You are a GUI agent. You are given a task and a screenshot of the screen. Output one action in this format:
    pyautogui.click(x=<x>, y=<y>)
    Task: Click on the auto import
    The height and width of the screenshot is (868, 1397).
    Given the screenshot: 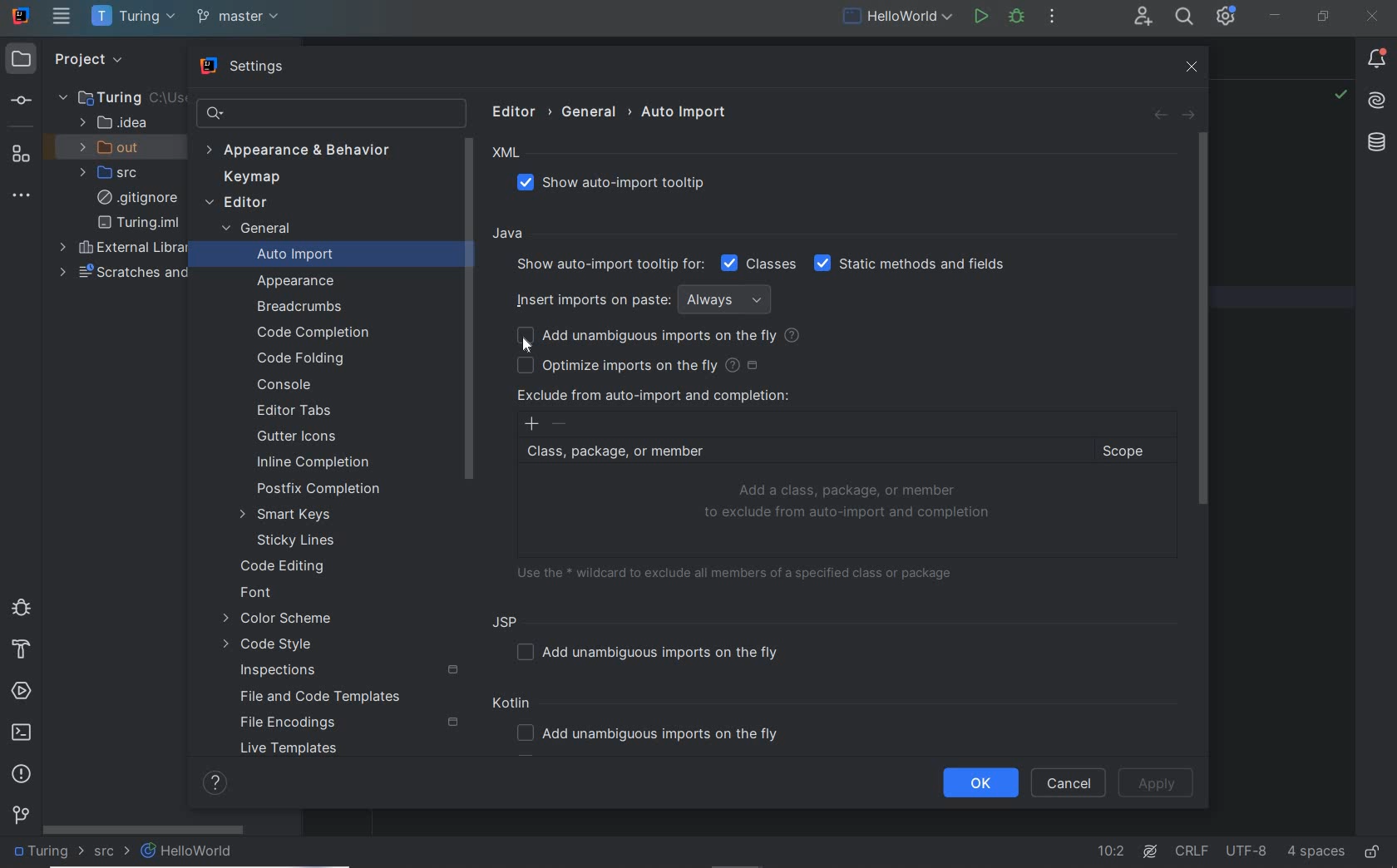 What is the action you would take?
    pyautogui.click(x=685, y=111)
    